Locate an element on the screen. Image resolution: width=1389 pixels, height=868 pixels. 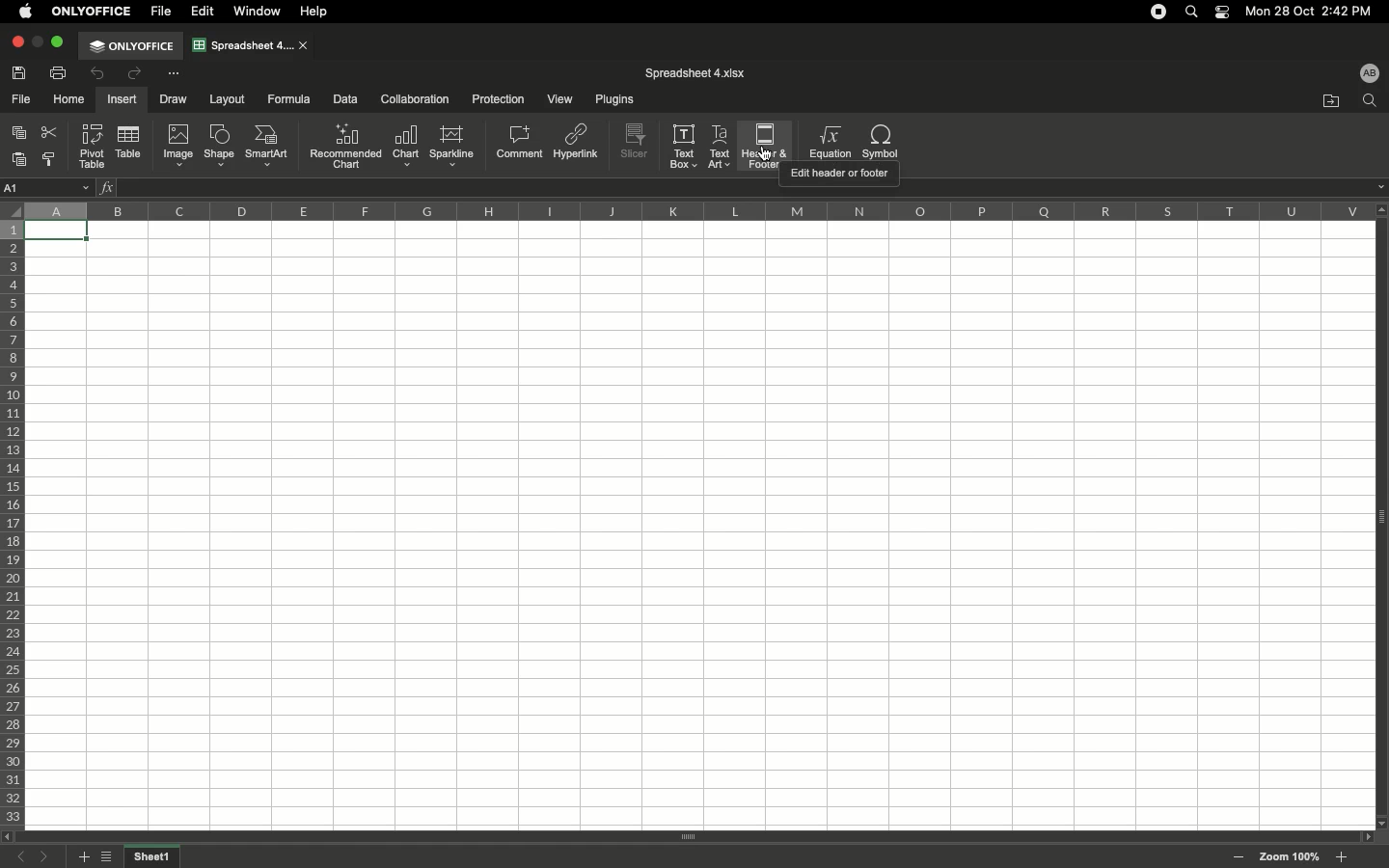
Edit is located at coordinates (204, 12).